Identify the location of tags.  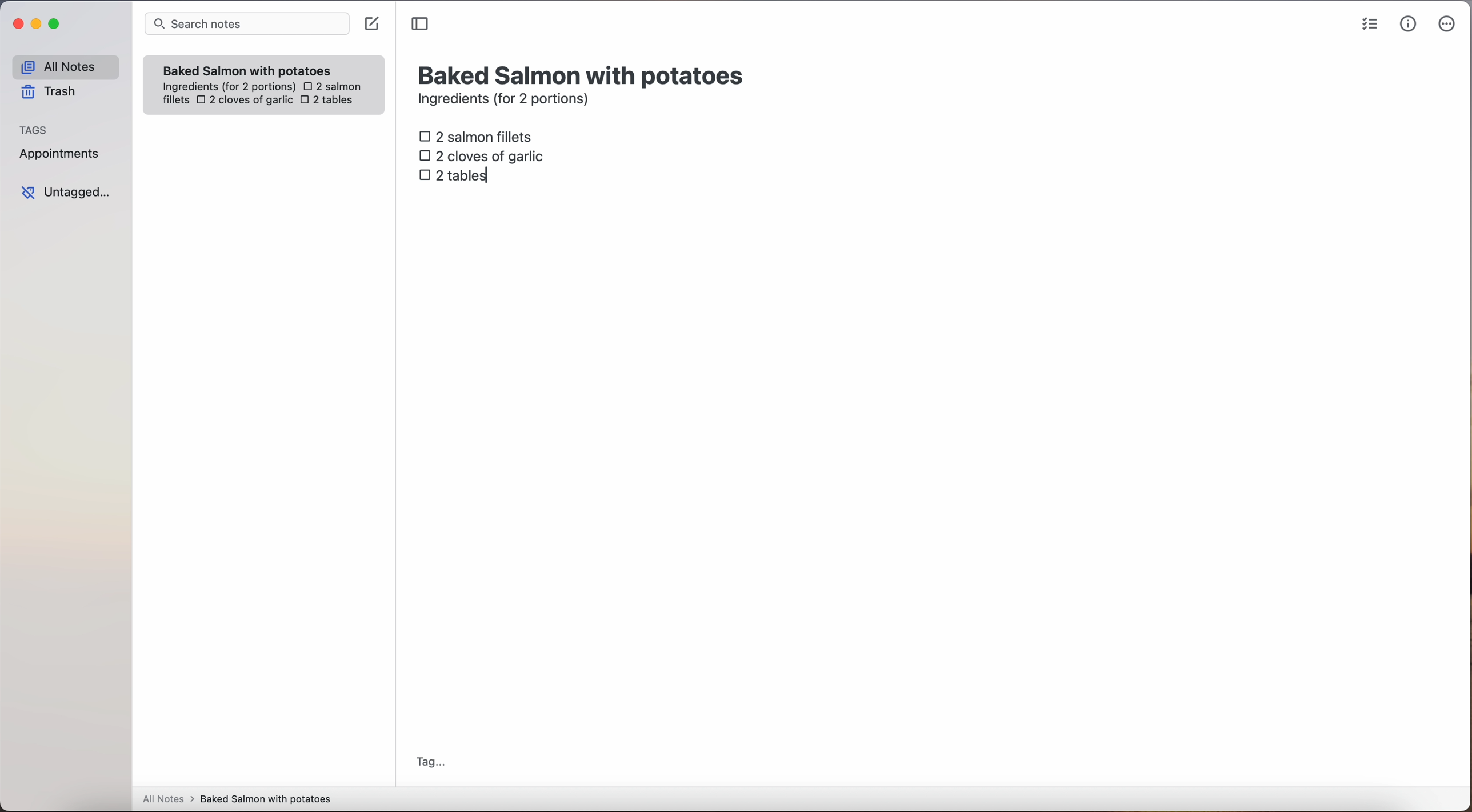
(34, 129).